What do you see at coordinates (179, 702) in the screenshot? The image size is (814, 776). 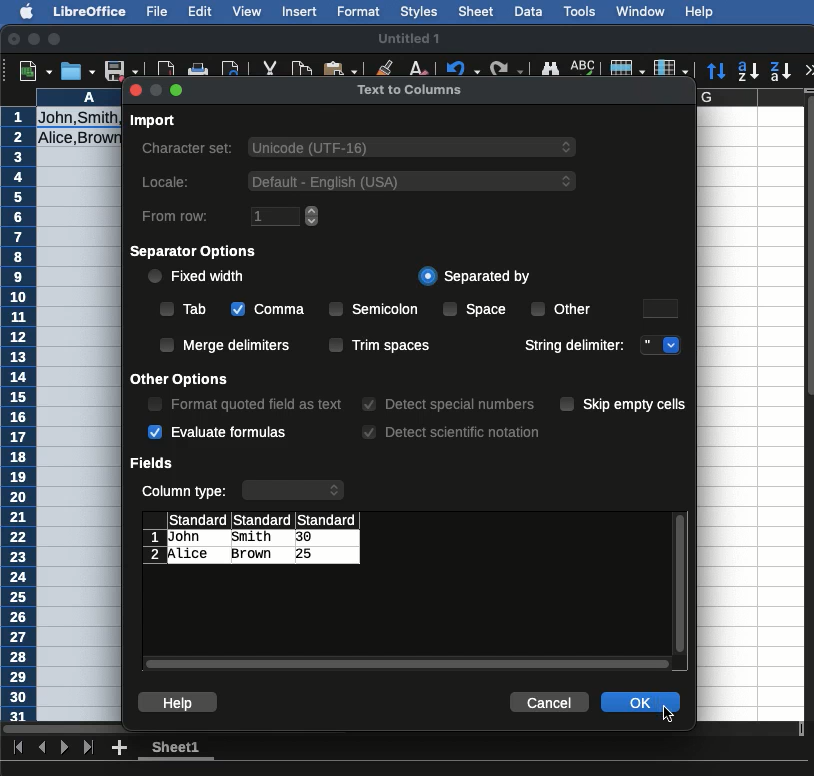 I see `Help` at bounding box center [179, 702].